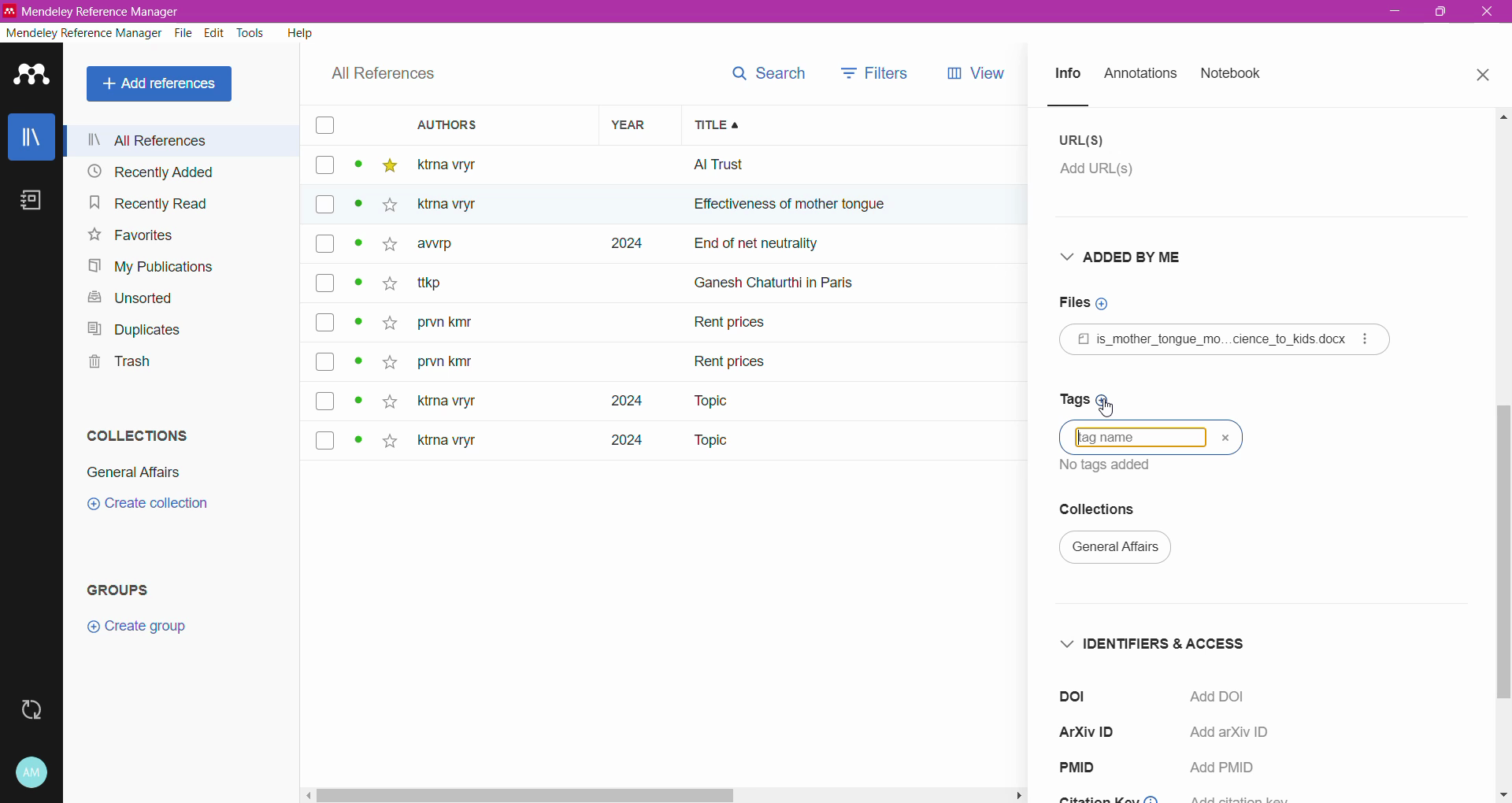 The width and height of the screenshot is (1512, 803). I want to click on box, so click(330, 401).